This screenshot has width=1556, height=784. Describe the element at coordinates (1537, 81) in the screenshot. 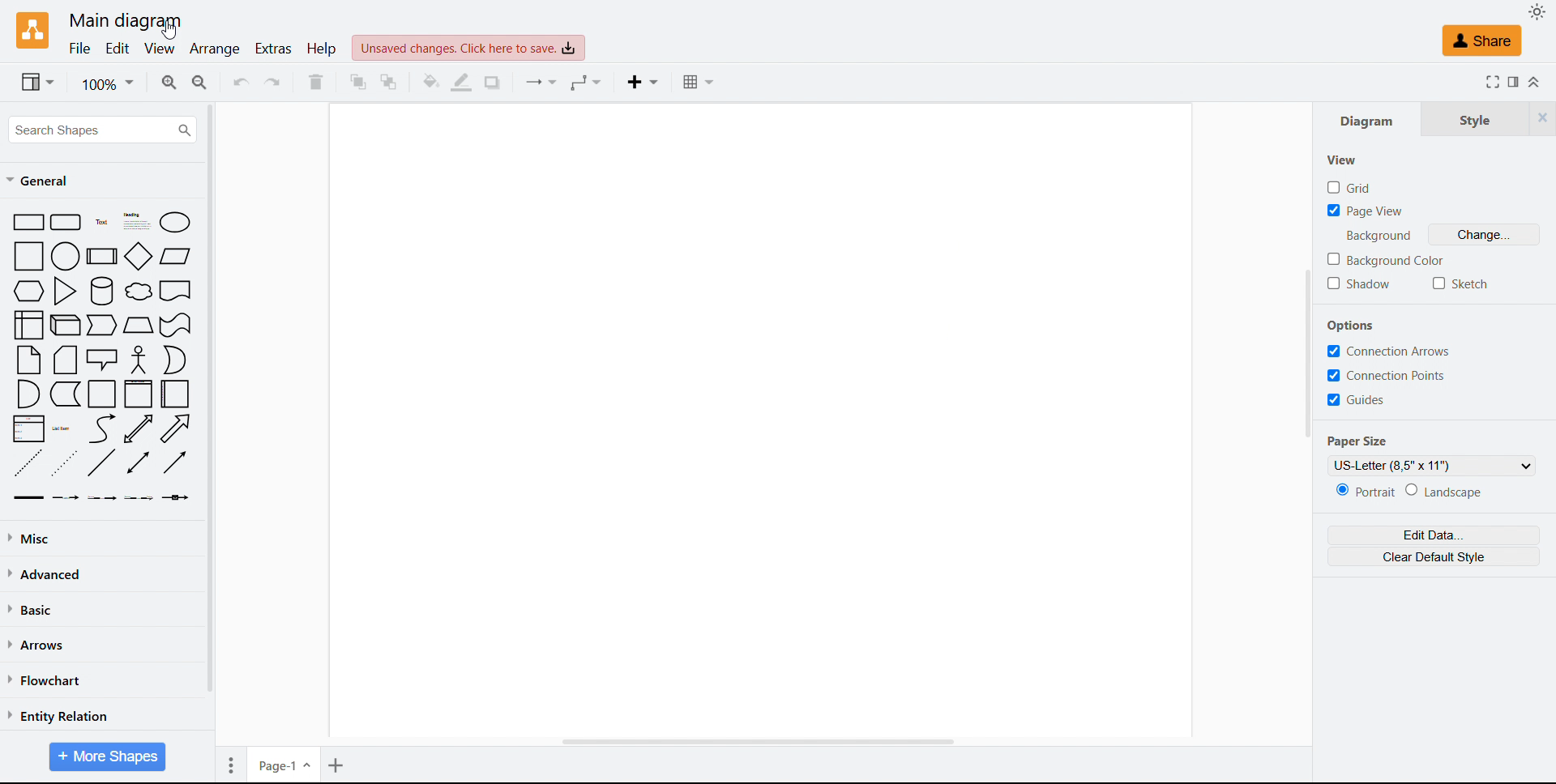

I see `Collapse ` at that location.